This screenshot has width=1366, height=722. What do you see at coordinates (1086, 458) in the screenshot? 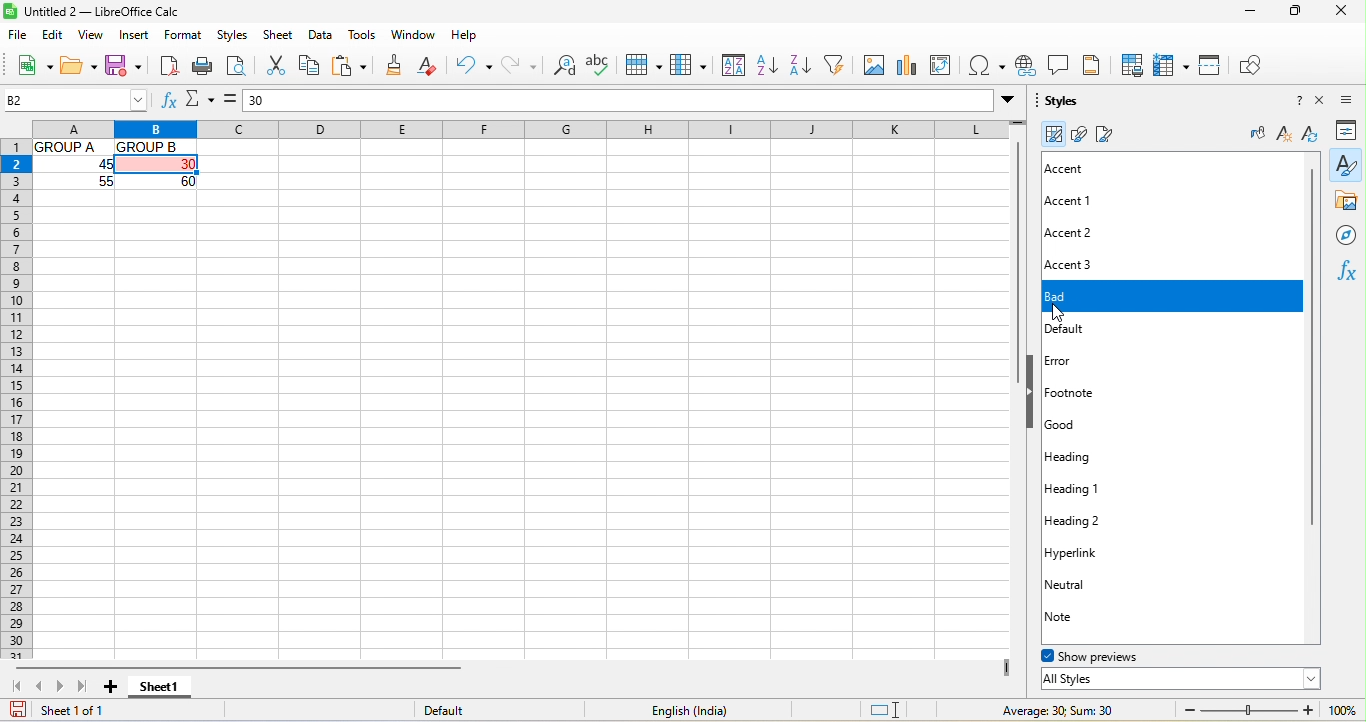
I see `headings` at bounding box center [1086, 458].